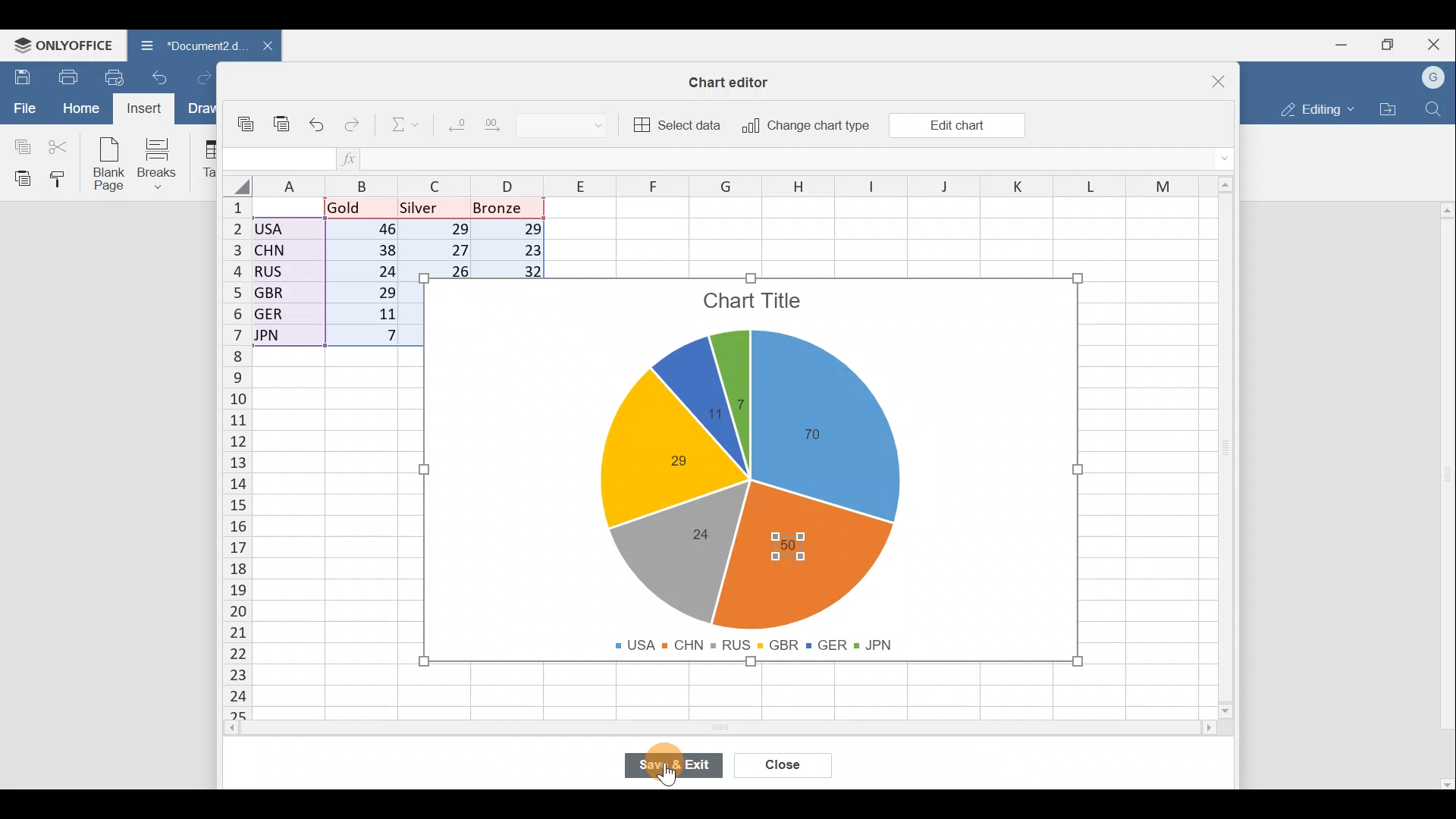 The image size is (1456, 819). Describe the element at coordinates (801, 127) in the screenshot. I see `Change chart type` at that location.